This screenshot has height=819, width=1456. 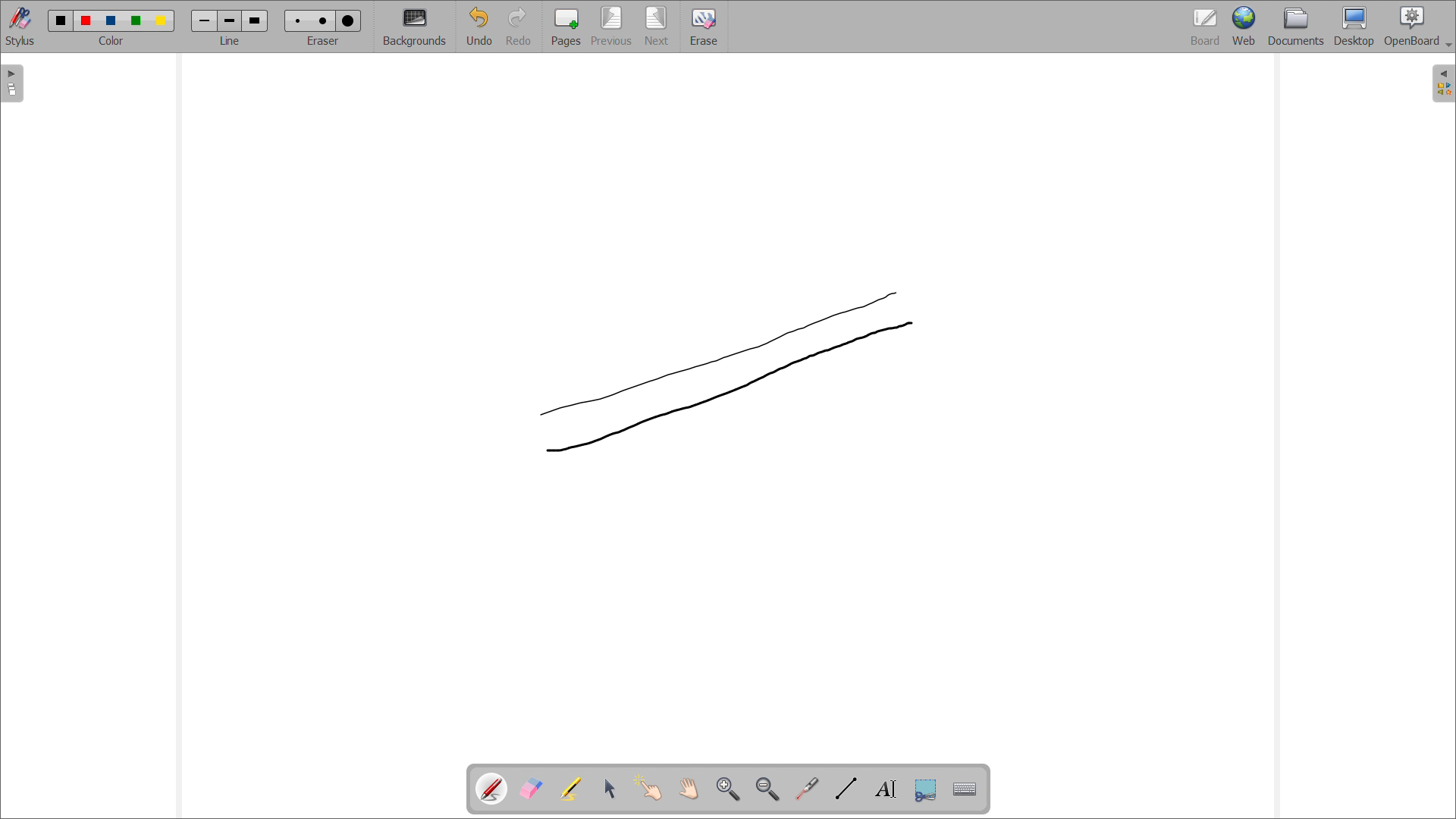 I want to click on open pages view, so click(x=13, y=83).